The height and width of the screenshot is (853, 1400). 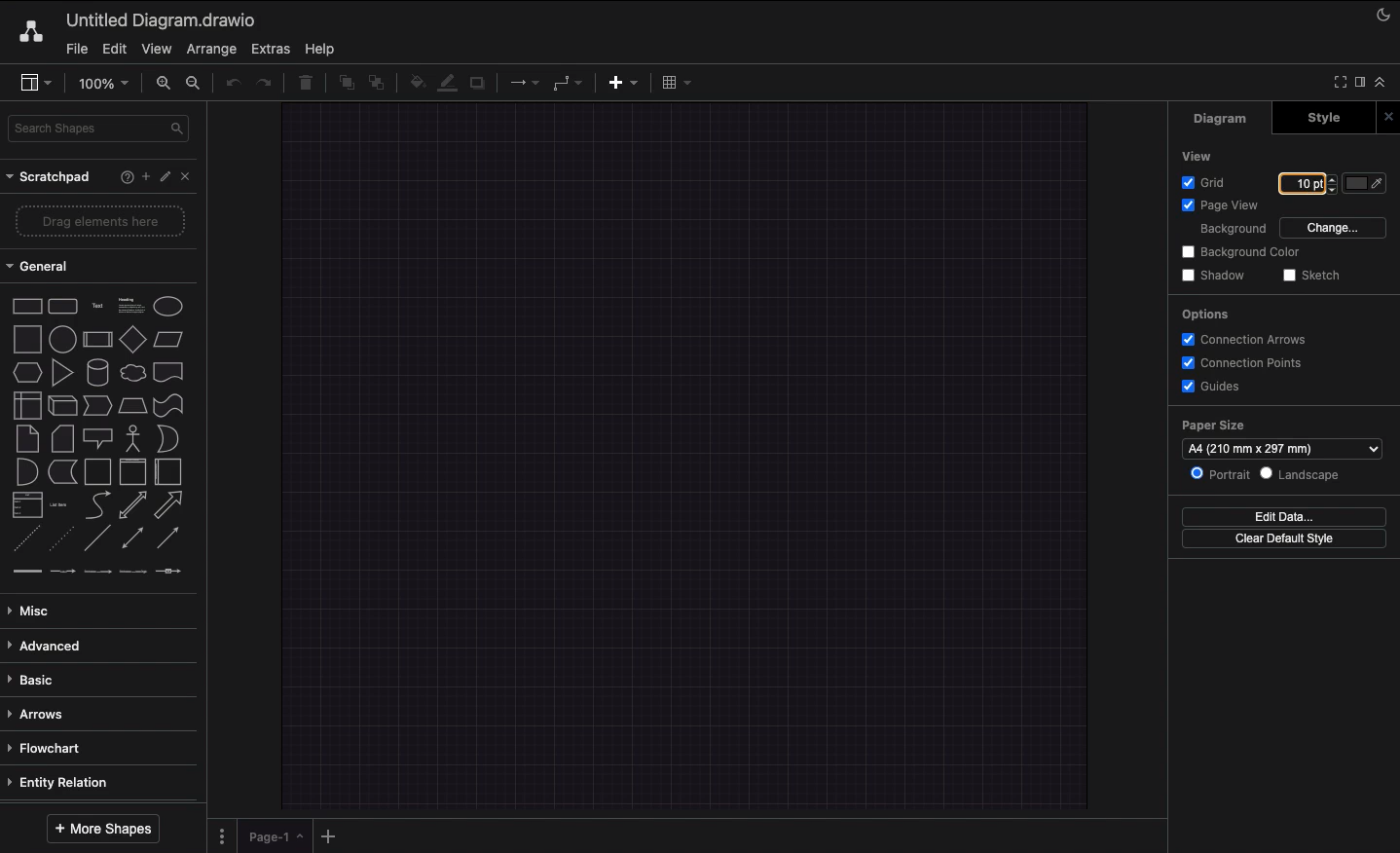 What do you see at coordinates (39, 677) in the screenshot?
I see `Basic` at bounding box center [39, 677].